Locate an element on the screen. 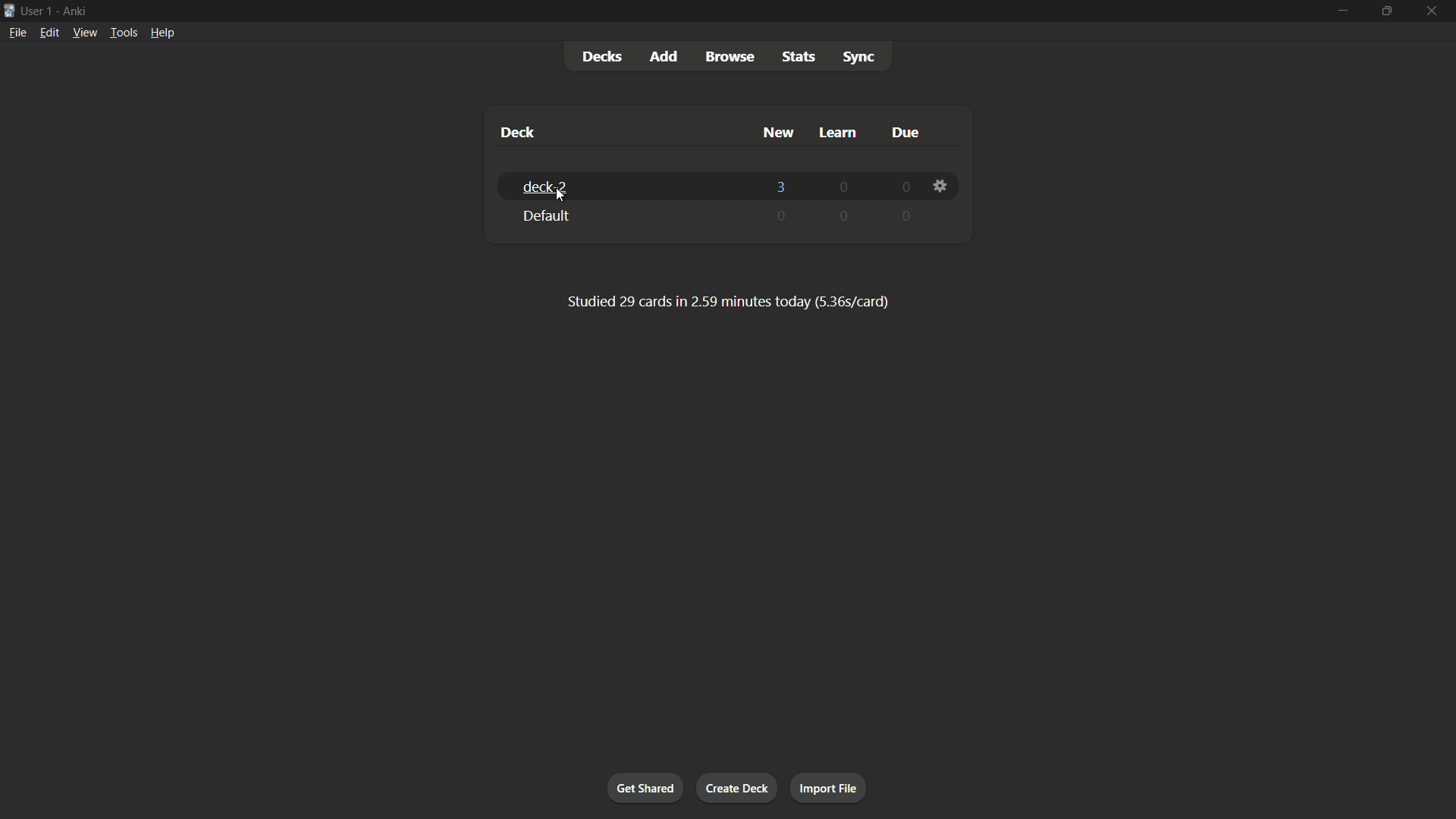 This screenshot has height=819, width=1456. create deck is located at coordinates (734, 789).